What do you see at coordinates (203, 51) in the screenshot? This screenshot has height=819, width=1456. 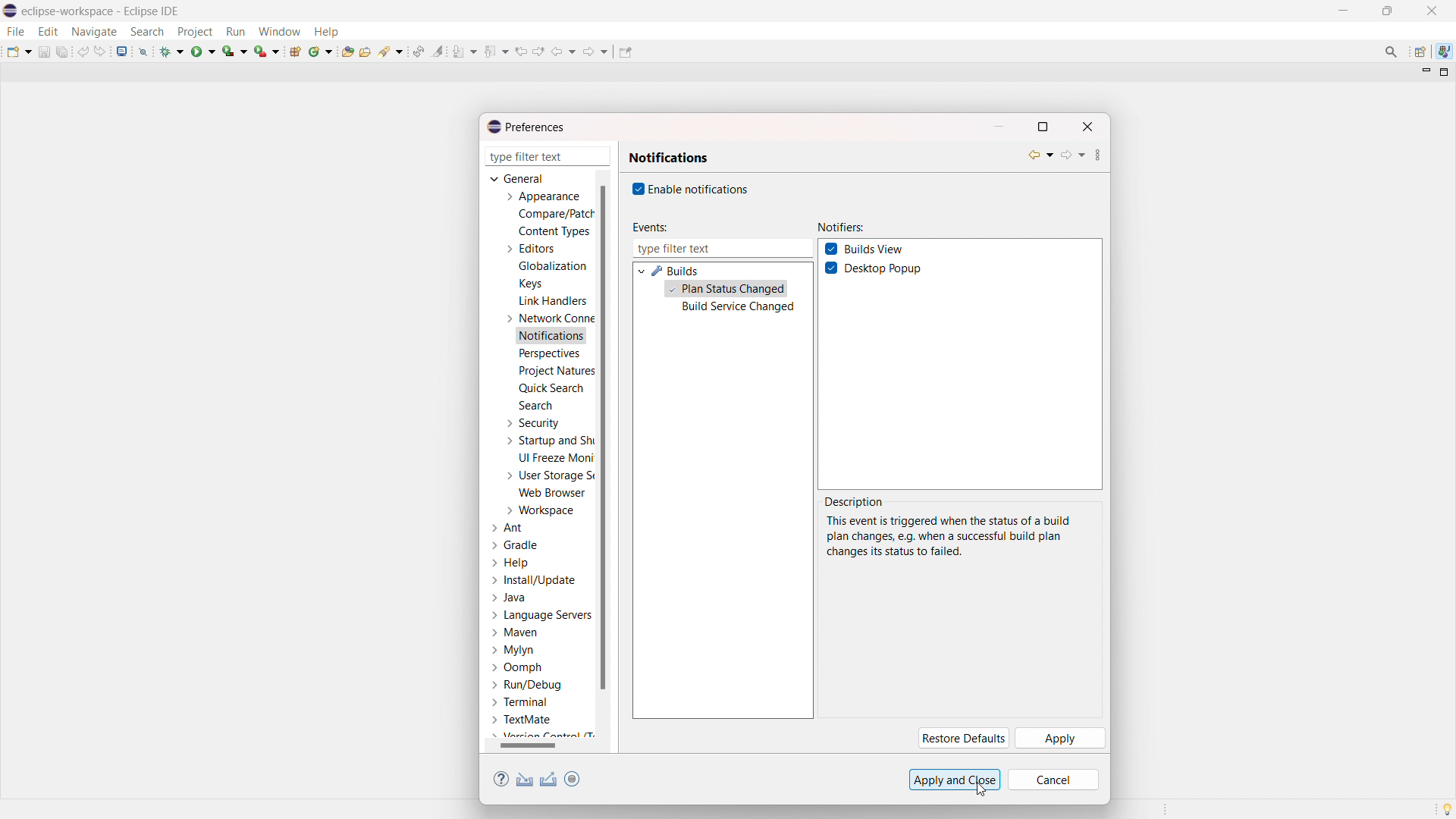 I see `run` at bounding box center [203, 51].